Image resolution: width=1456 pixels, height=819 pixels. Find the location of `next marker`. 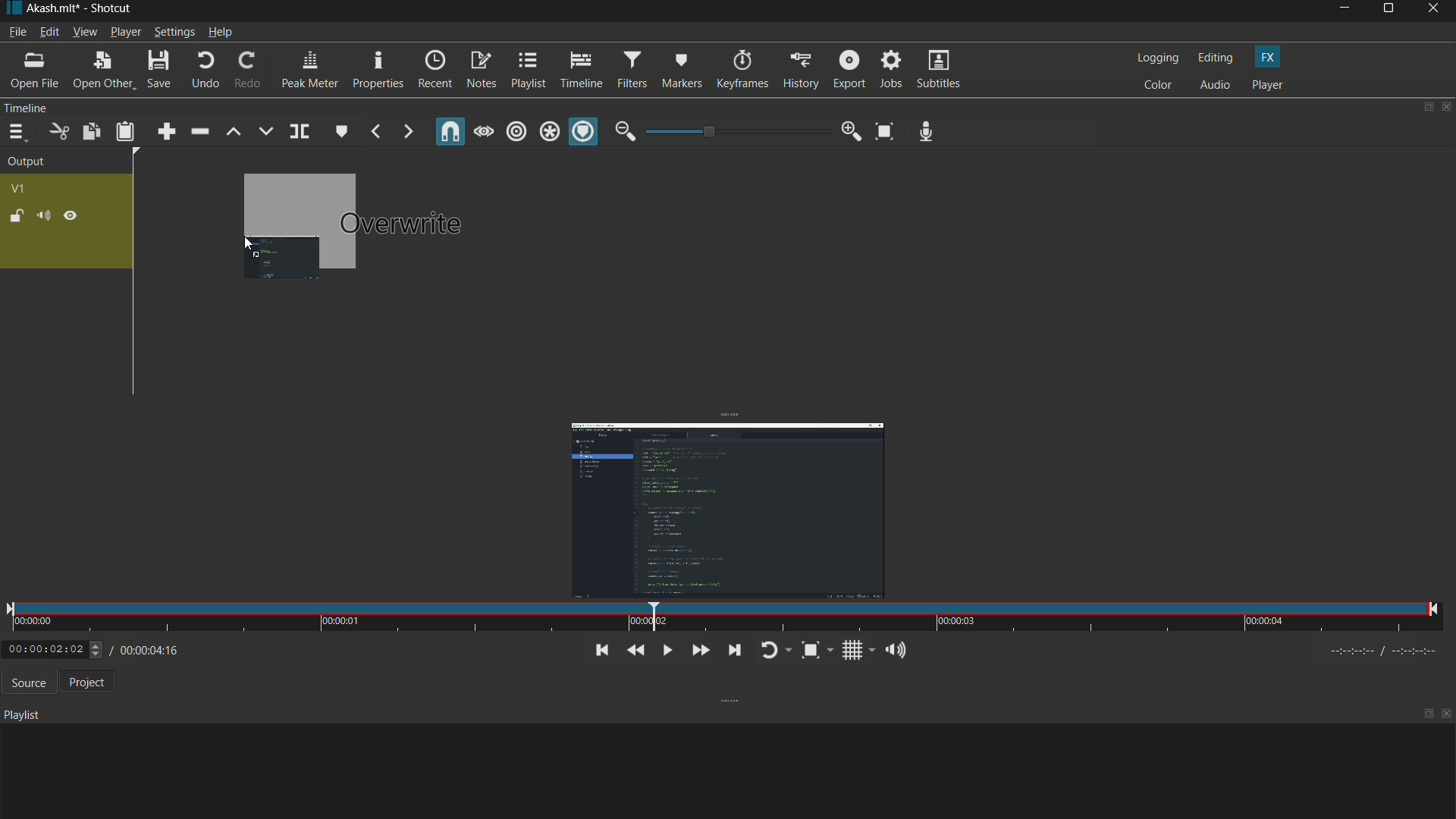

next marker is located at coordinates (407, 133).